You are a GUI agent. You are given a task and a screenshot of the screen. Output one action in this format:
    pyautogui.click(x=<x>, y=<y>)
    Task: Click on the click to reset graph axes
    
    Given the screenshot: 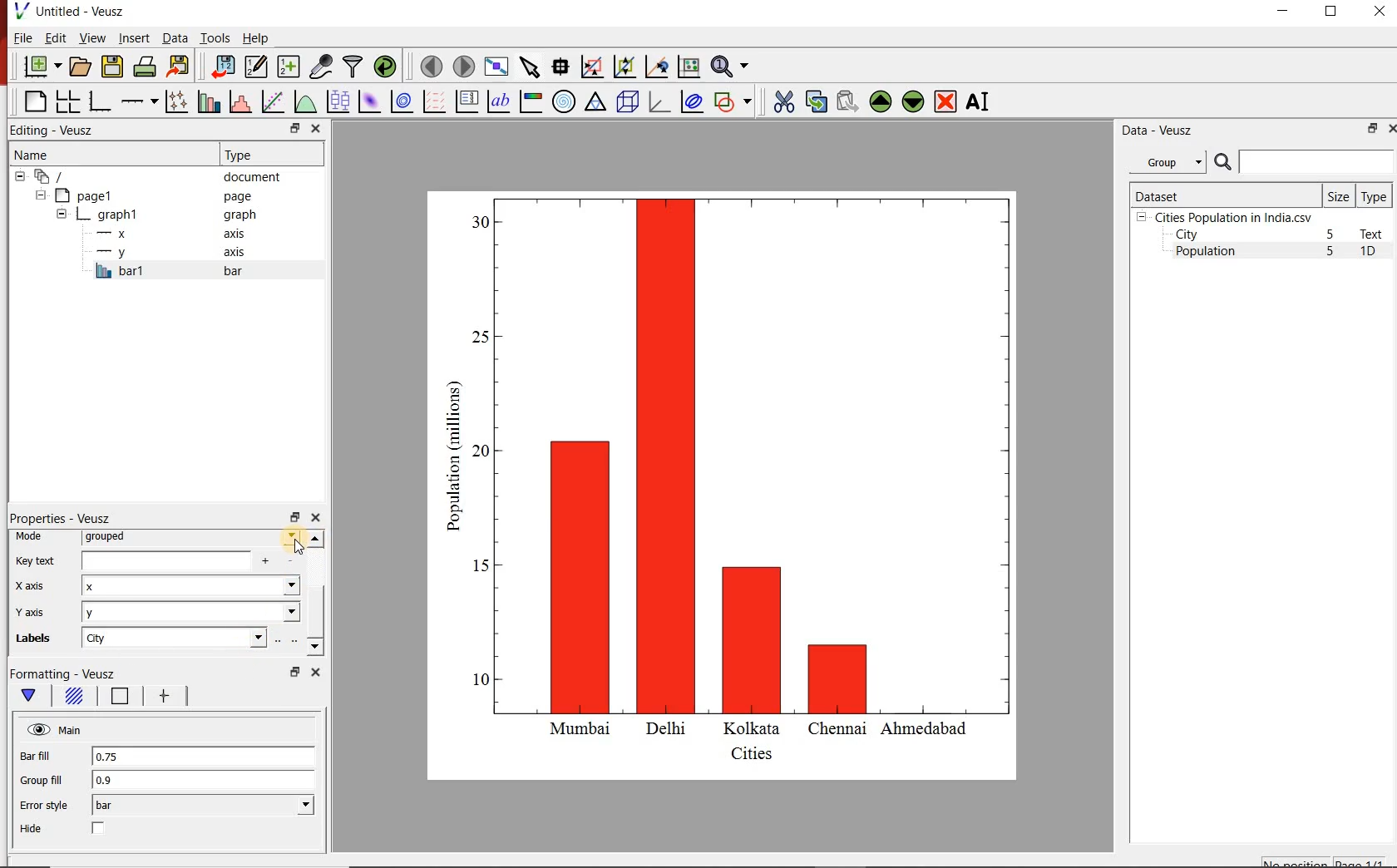 What is the action you would take?
    pyautogui.click(x=689, y=66)
    